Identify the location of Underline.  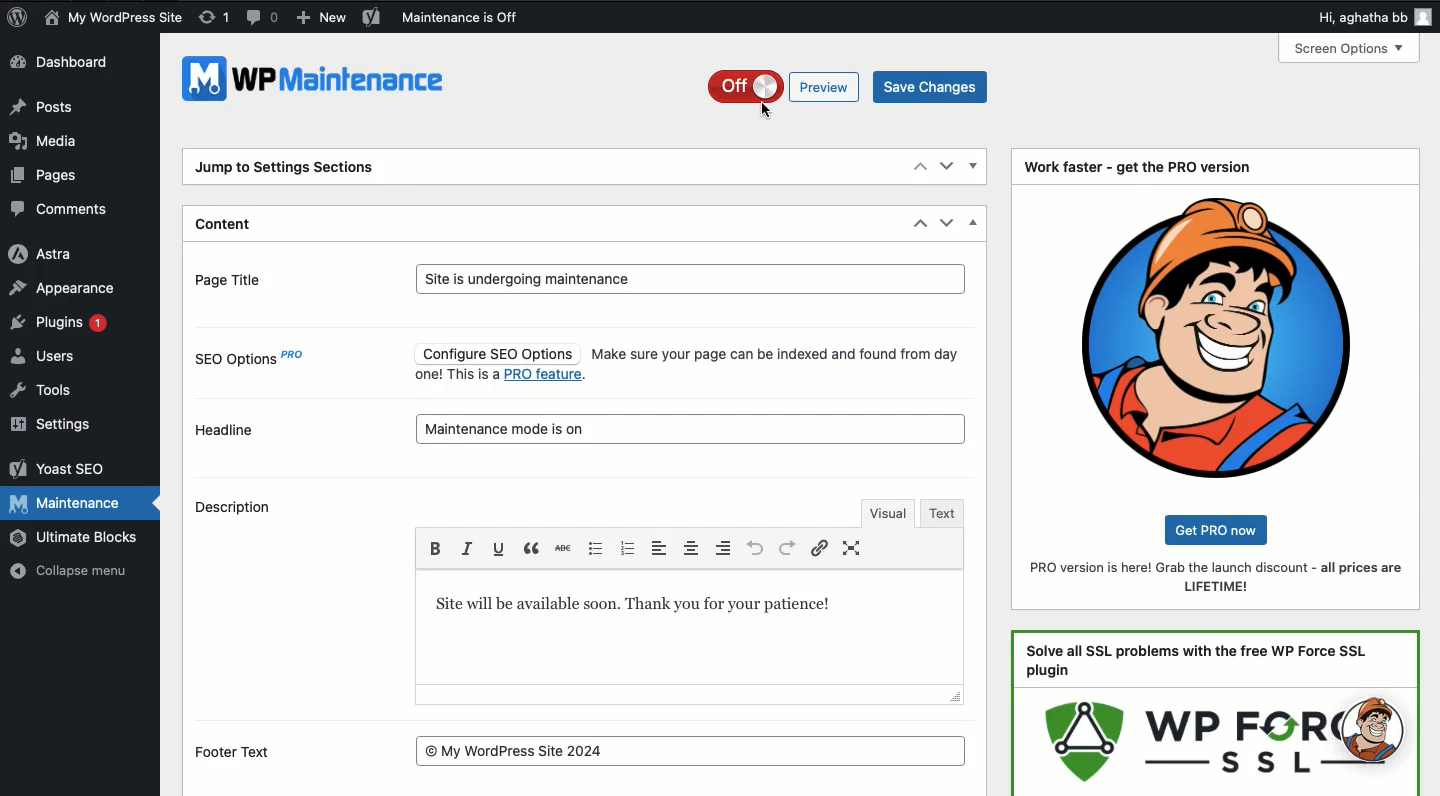
(499, 548).